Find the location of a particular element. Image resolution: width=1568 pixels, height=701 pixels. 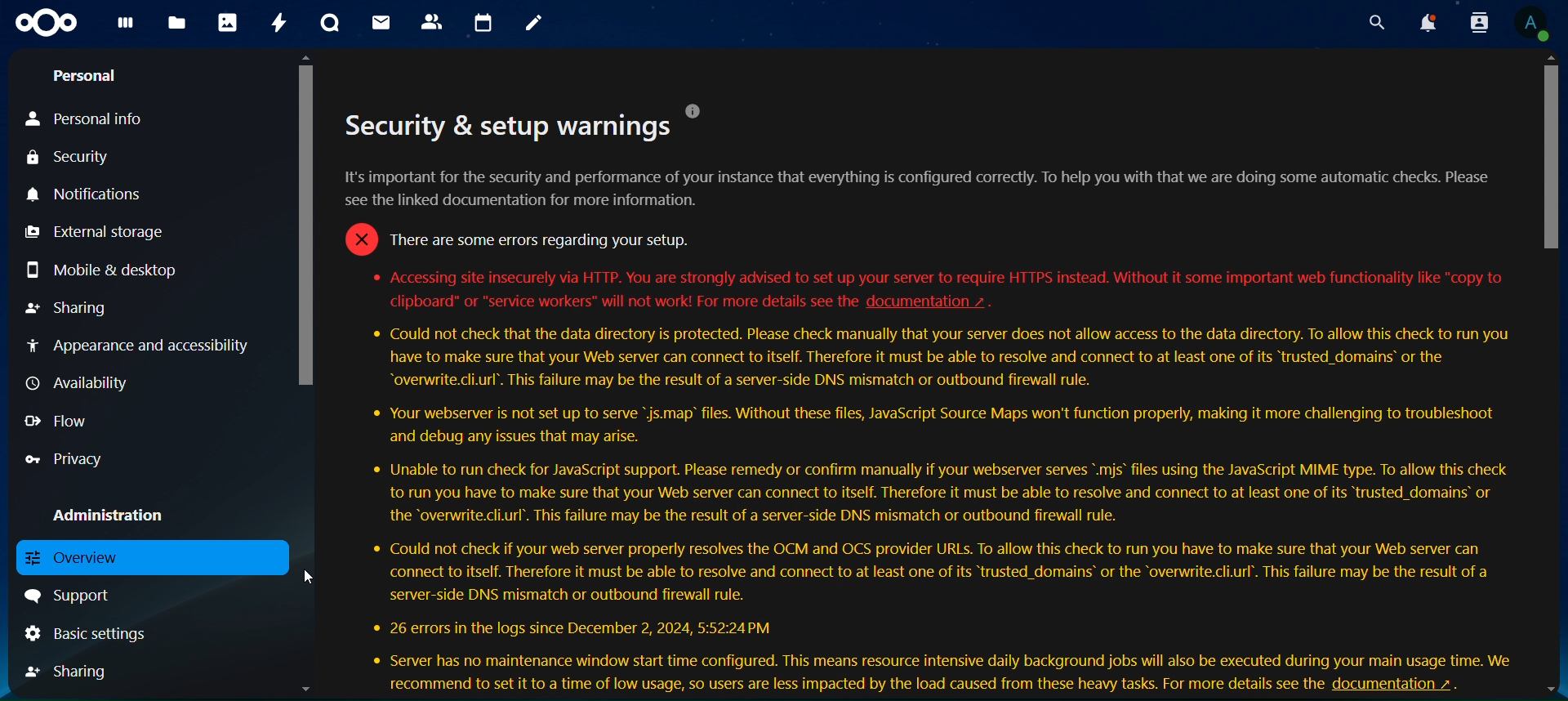

contact is located at coordinates (433, 22).